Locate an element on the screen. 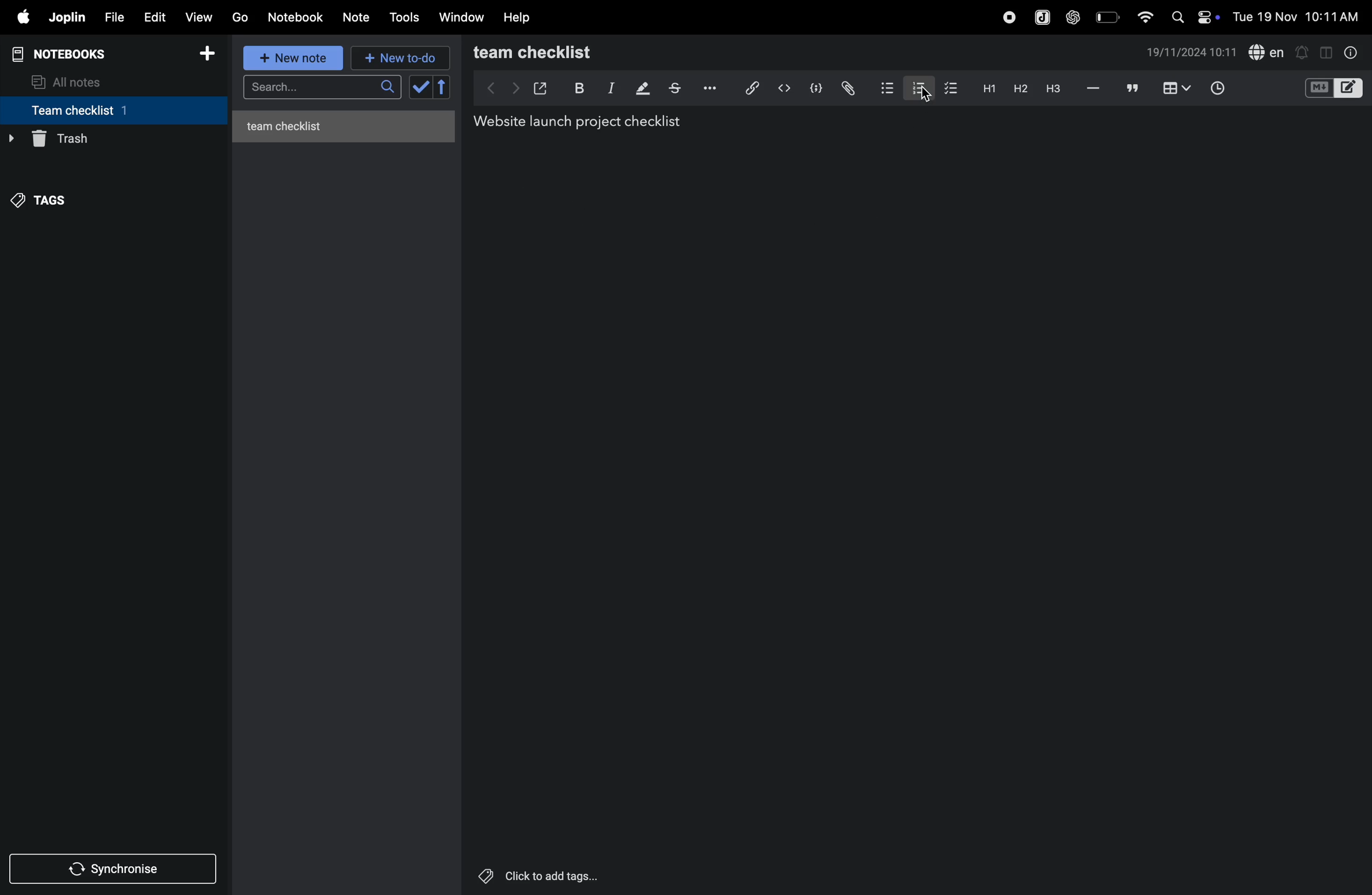 This screenshot has width=1372, height=895. Notebook is located at coordinates (299, 17).